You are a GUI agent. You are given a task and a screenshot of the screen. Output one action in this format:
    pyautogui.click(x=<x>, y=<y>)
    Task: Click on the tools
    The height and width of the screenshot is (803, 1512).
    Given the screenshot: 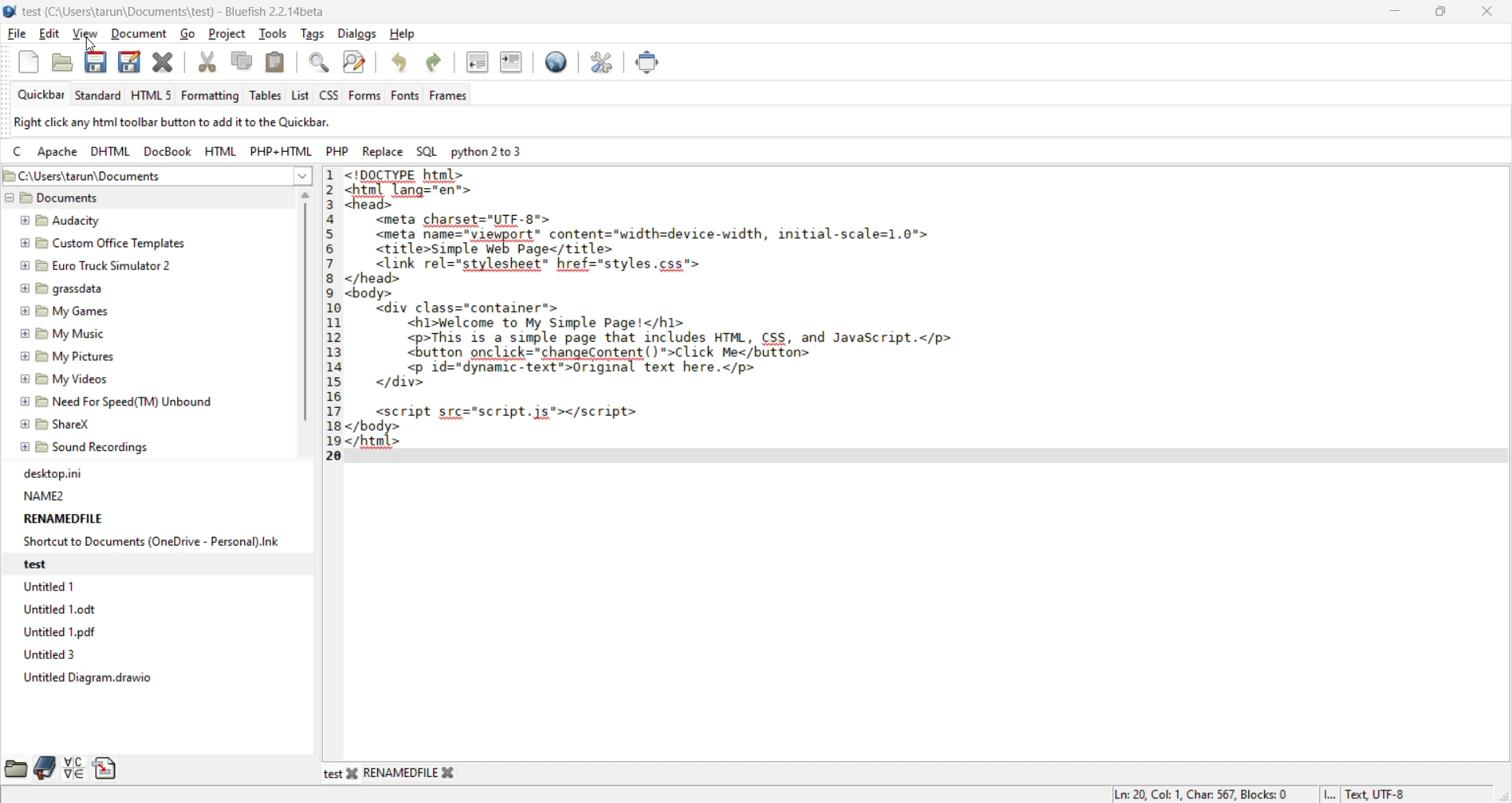 What is the action you would take?
    pyautogui.click(x=275, y=32)
    